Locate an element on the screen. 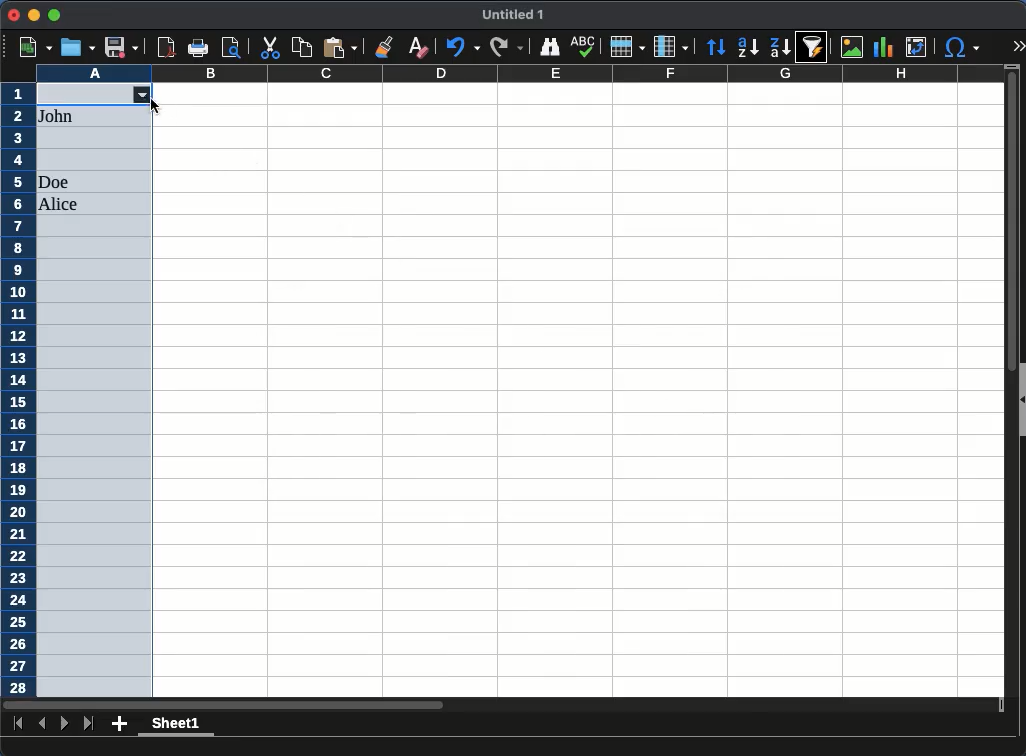 This screenshot has width=1026, height=756. chart is located at coordinates (883, 47).